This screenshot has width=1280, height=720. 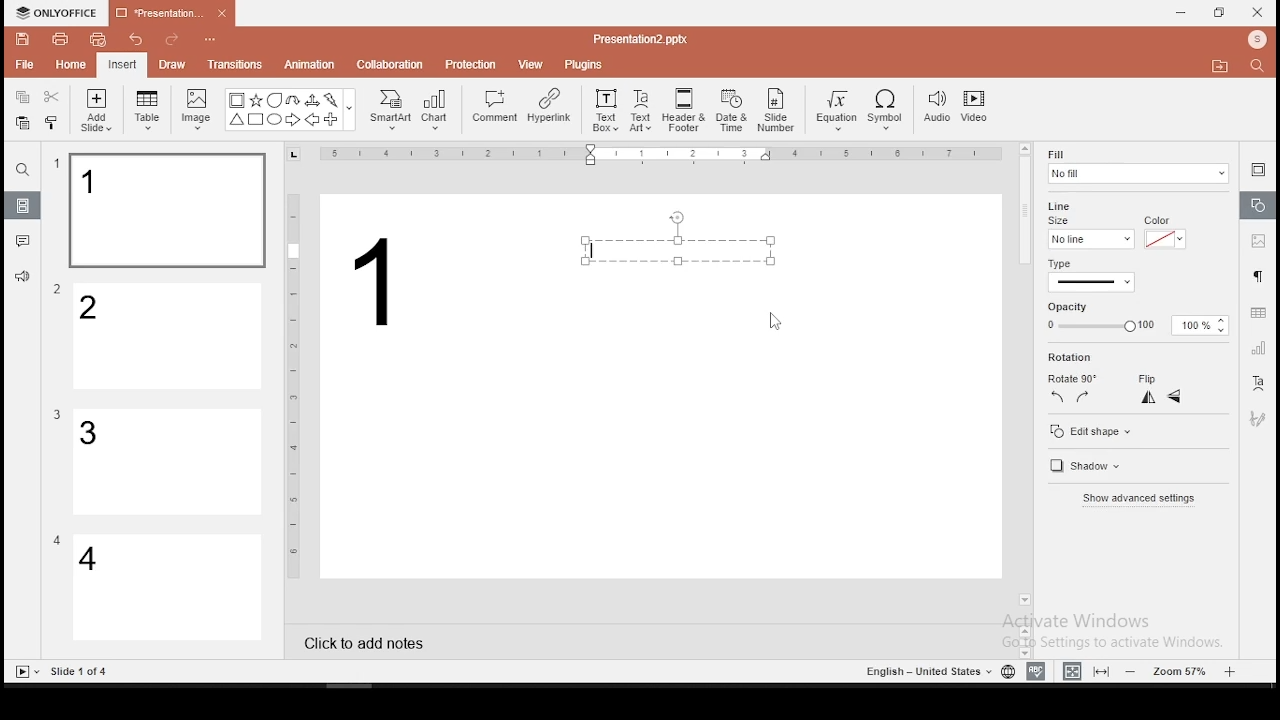 What do you see at coordinates (236, 120) in the screenshot?
I see `Trianlge` at bounding box center [236, 120].